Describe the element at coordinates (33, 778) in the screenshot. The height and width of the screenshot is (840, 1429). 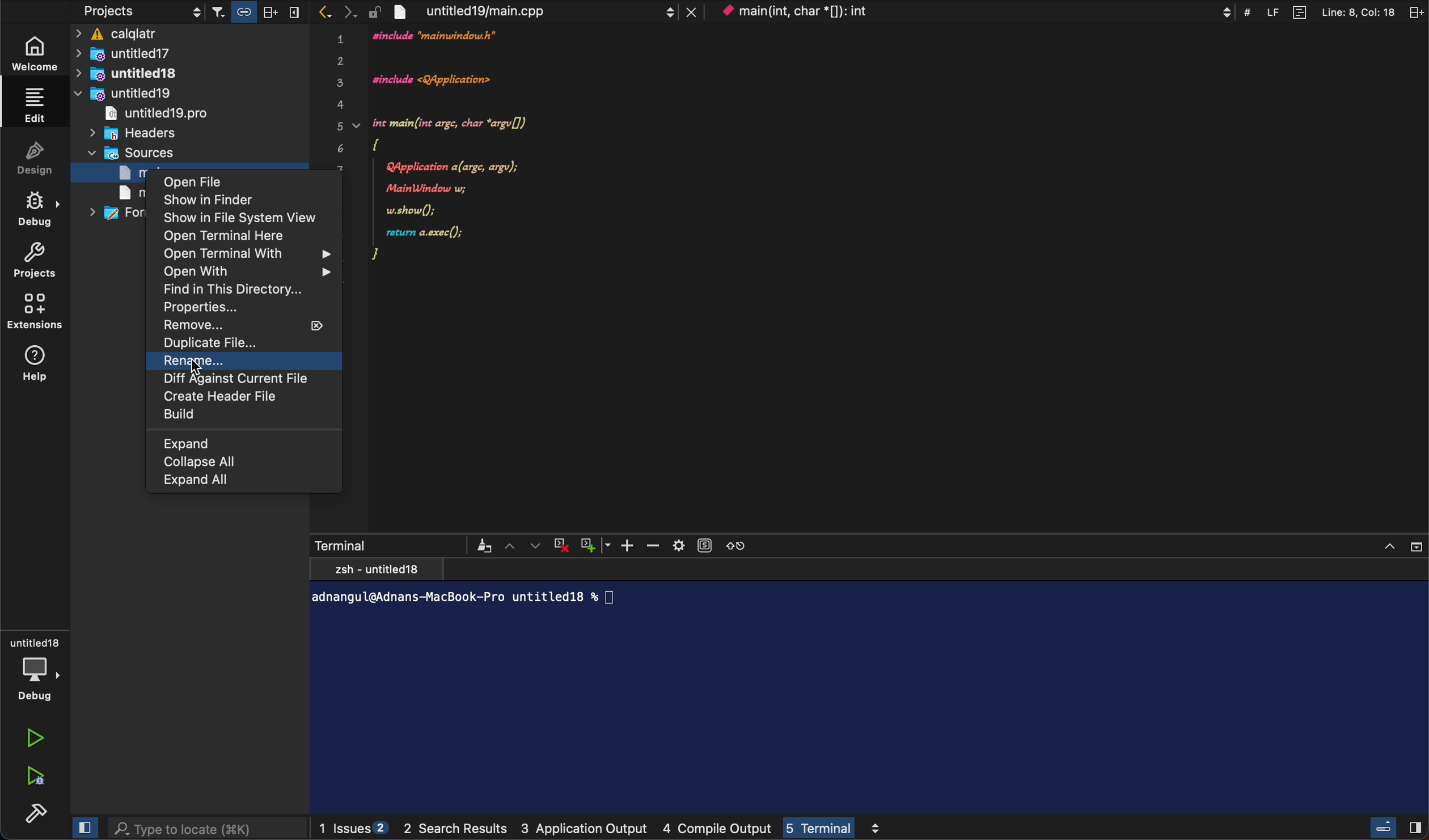
I see `run debug` at that location.